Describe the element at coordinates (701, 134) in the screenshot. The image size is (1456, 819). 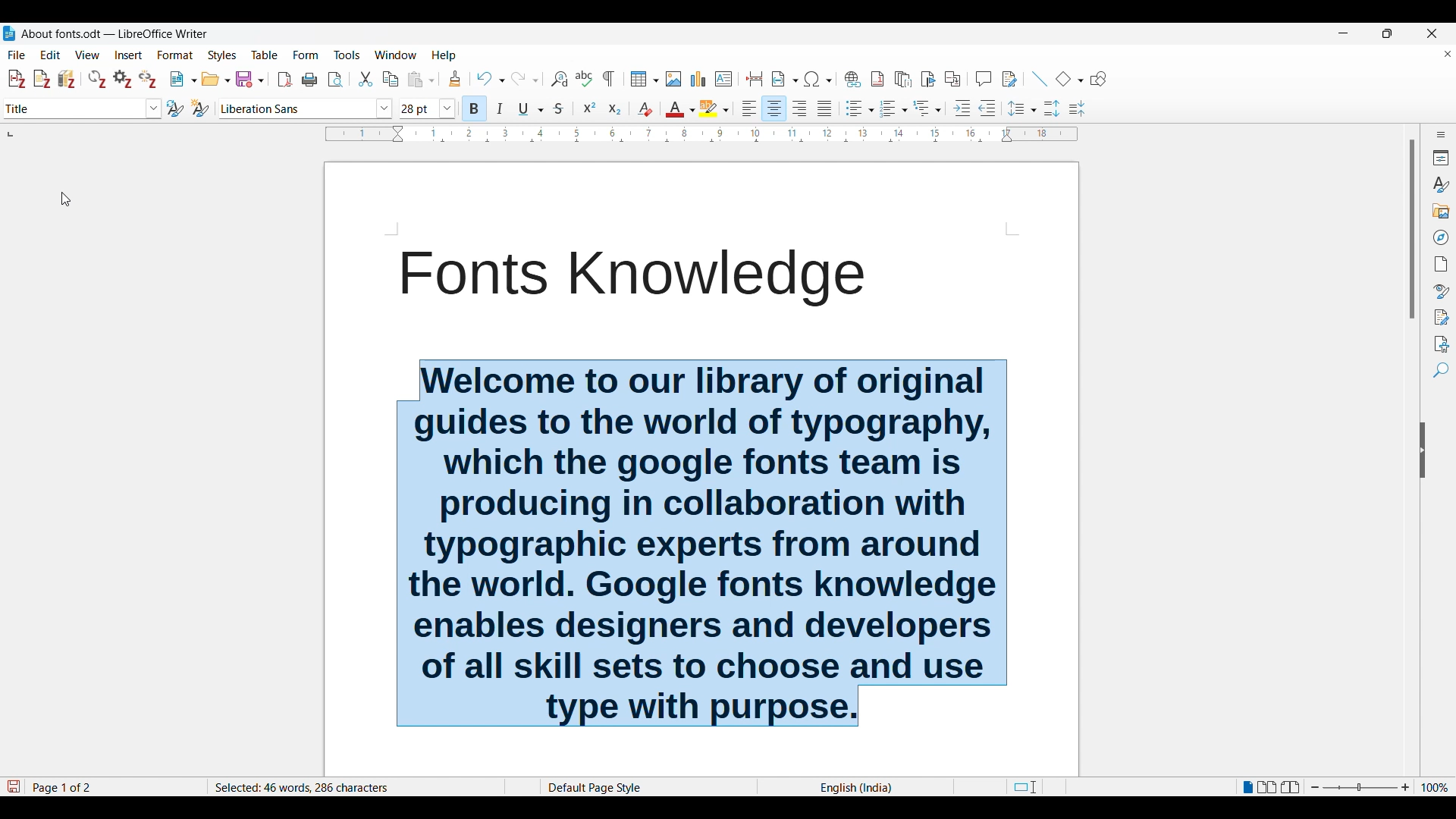
I see `Horizontal scale` at that location.